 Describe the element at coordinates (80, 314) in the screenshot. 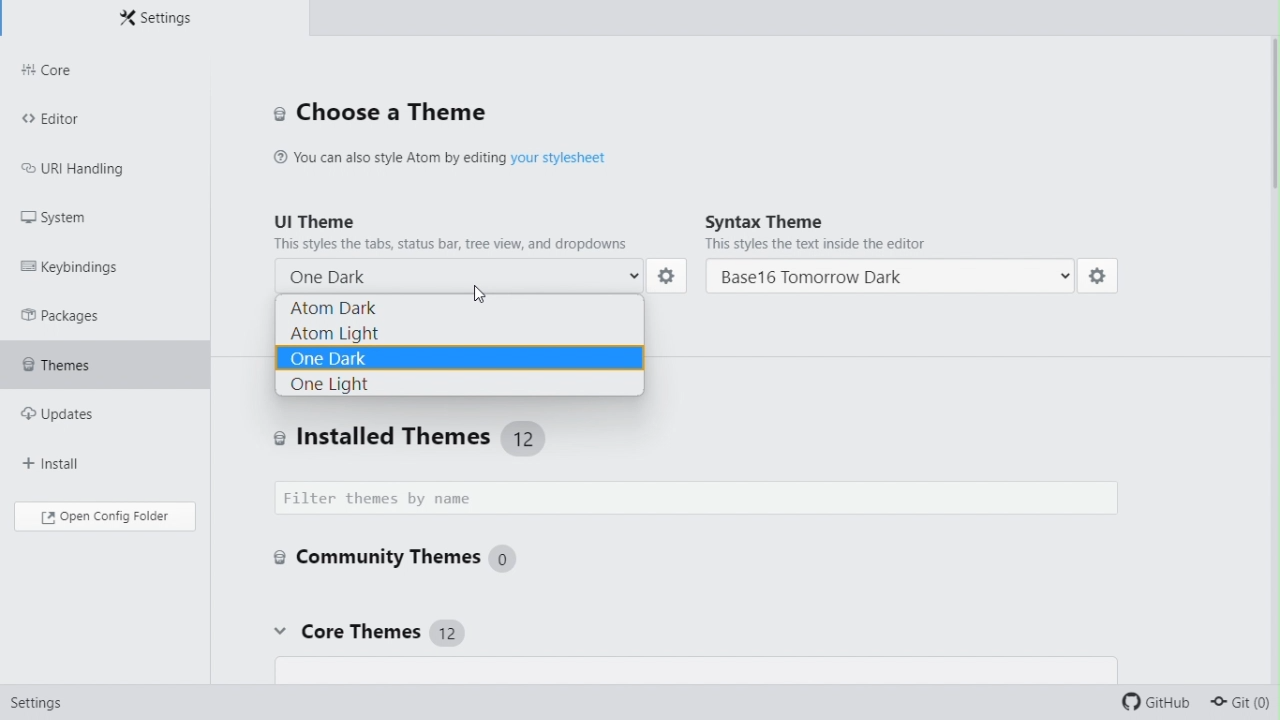

I see `Packages` at that location.